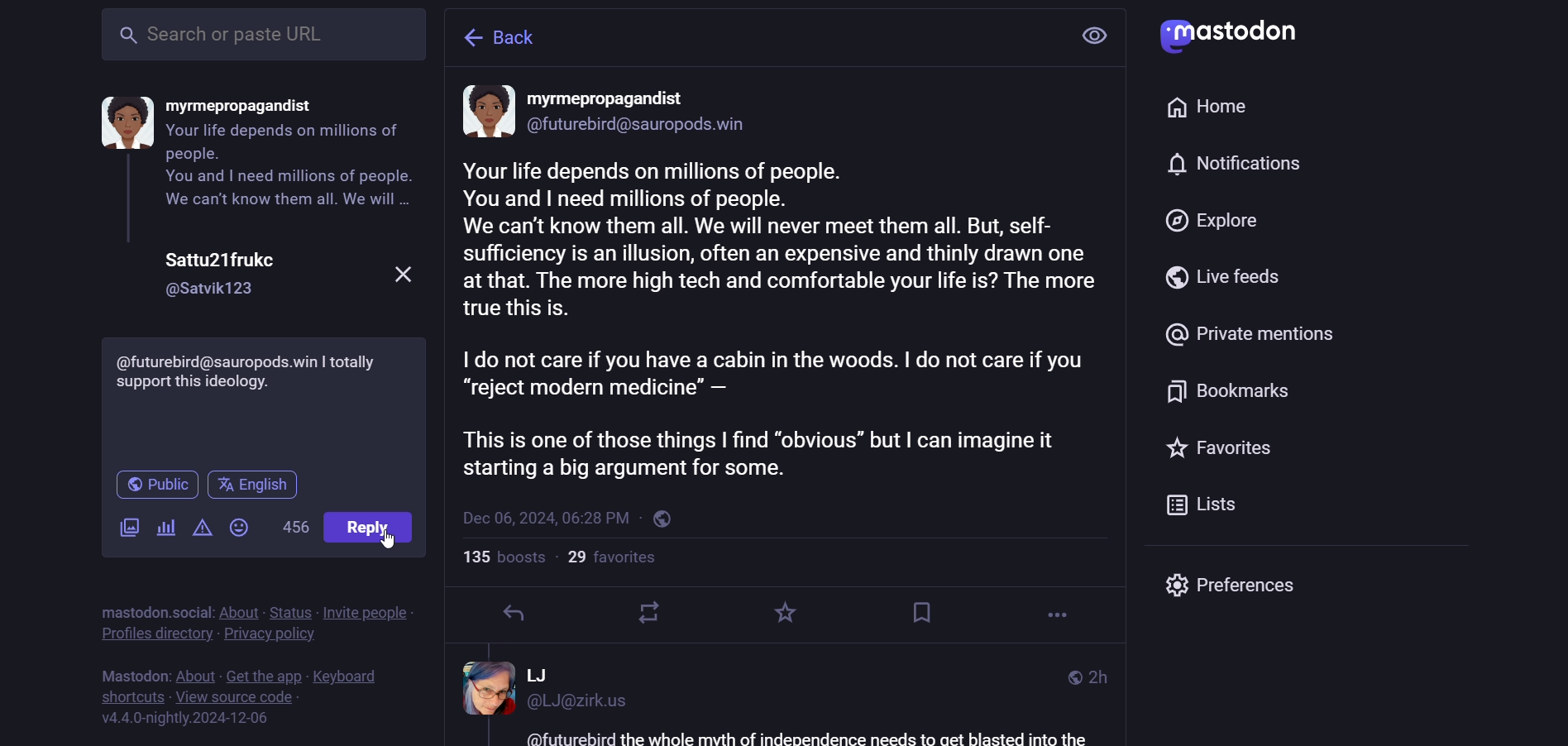 The width and height of the screenshot is (1568, 746). Describe the element at coordinates (1212, 222) in the screenshot. I see `explore` at that location.